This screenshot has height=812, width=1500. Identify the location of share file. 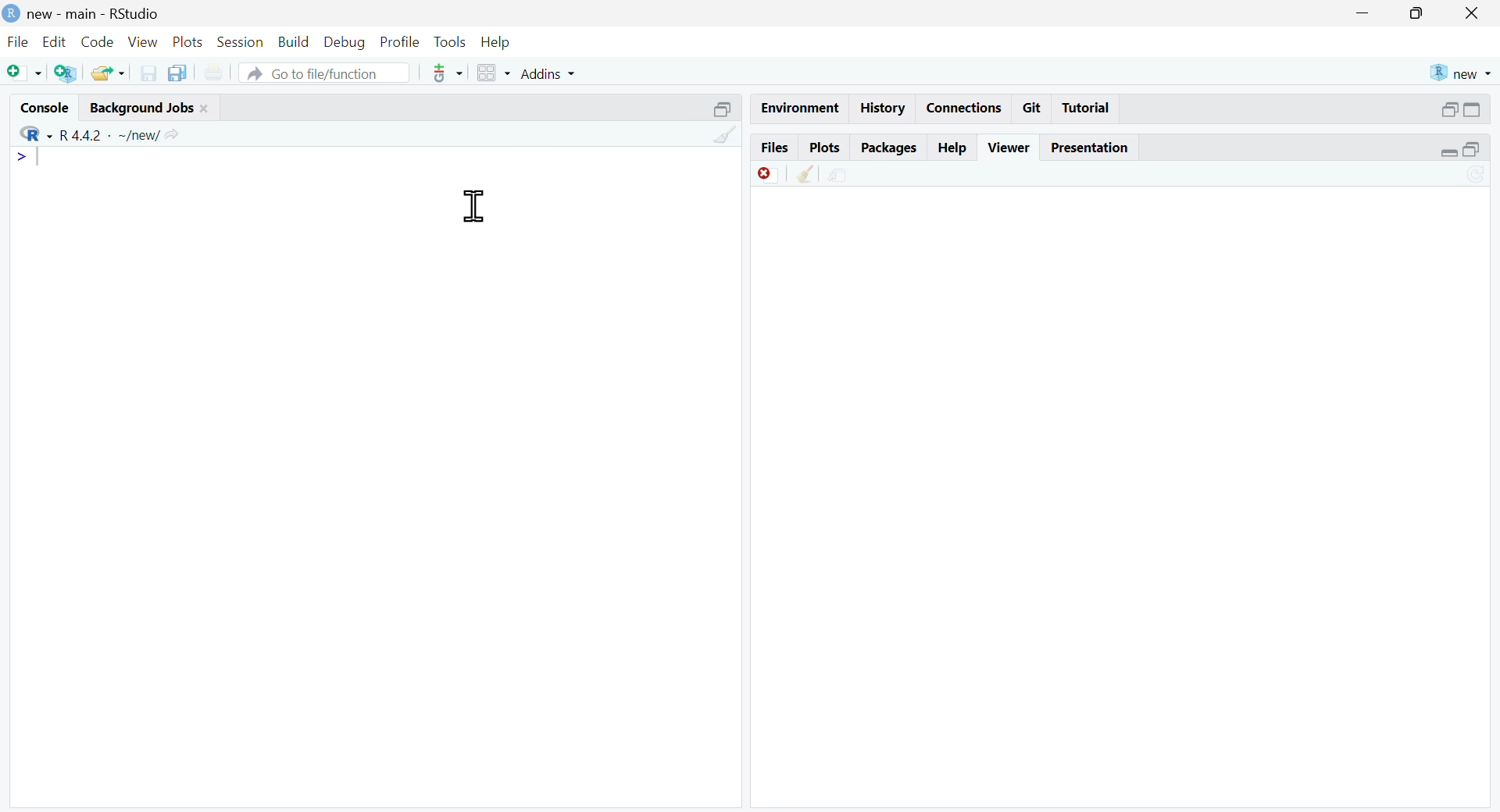
(838, 175).